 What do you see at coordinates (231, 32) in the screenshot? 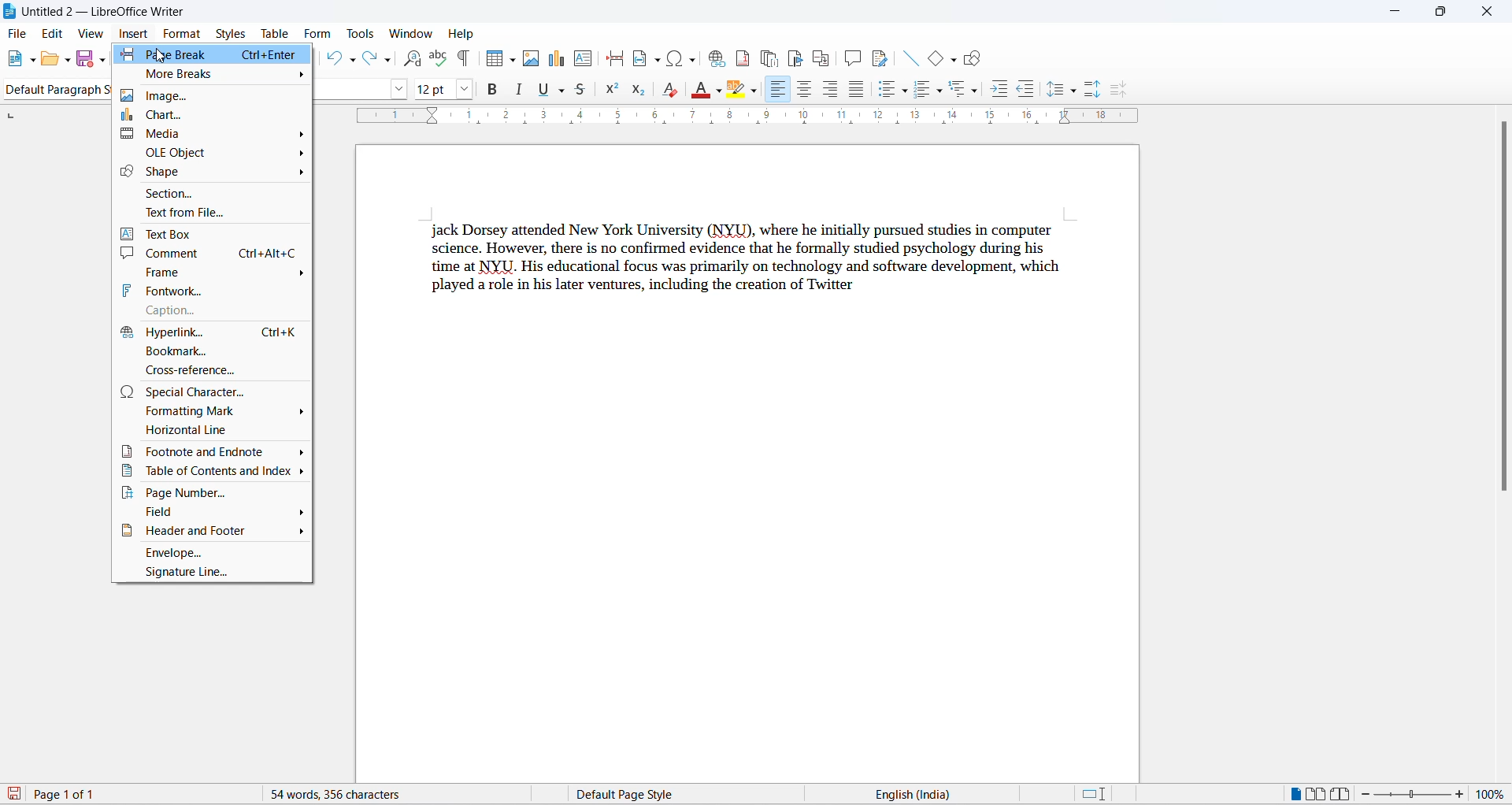
I see `styles` at bounding box center [231, 32].